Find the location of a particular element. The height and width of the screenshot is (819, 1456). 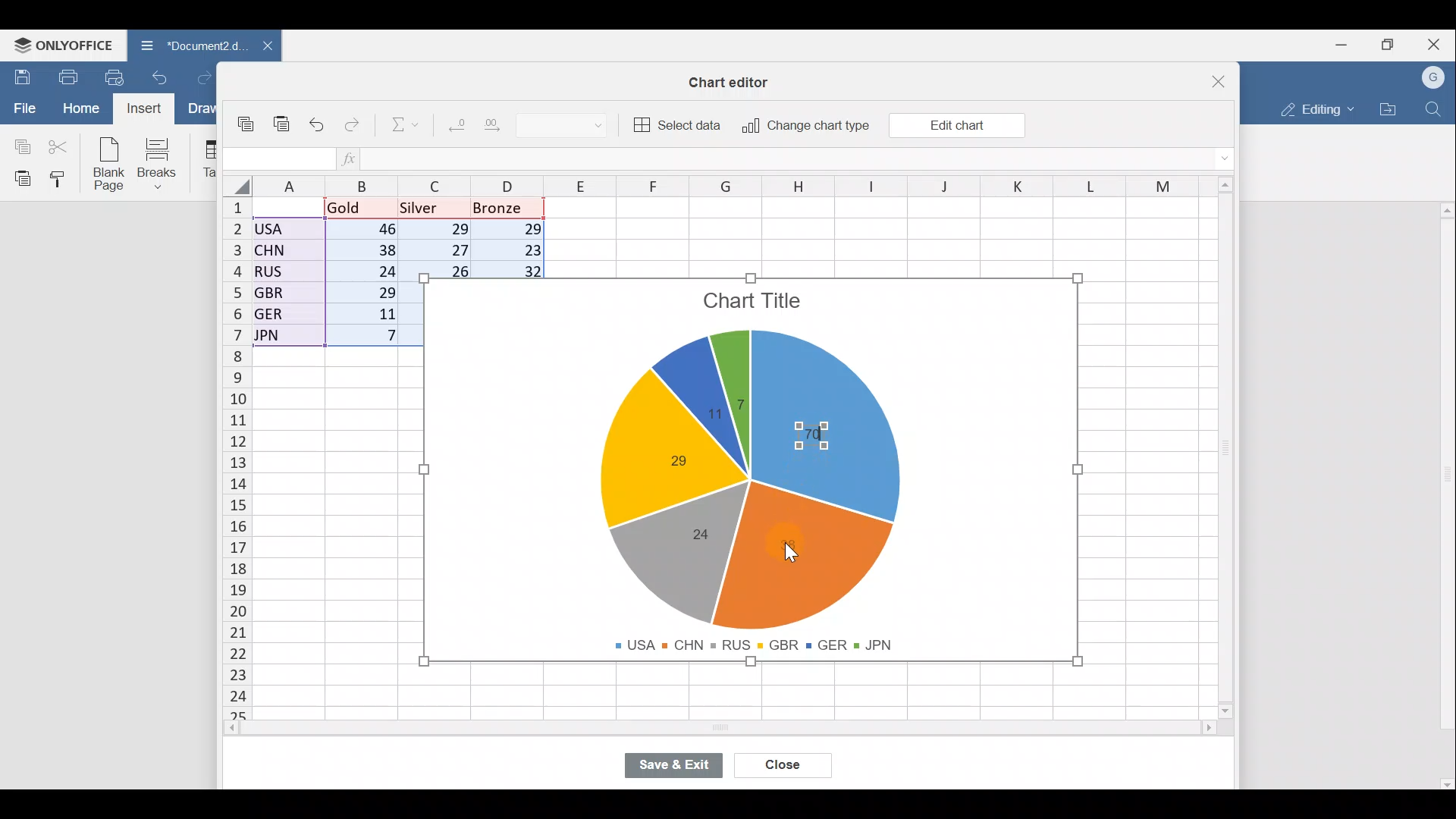

Draw is located at coordinates (206, 110).